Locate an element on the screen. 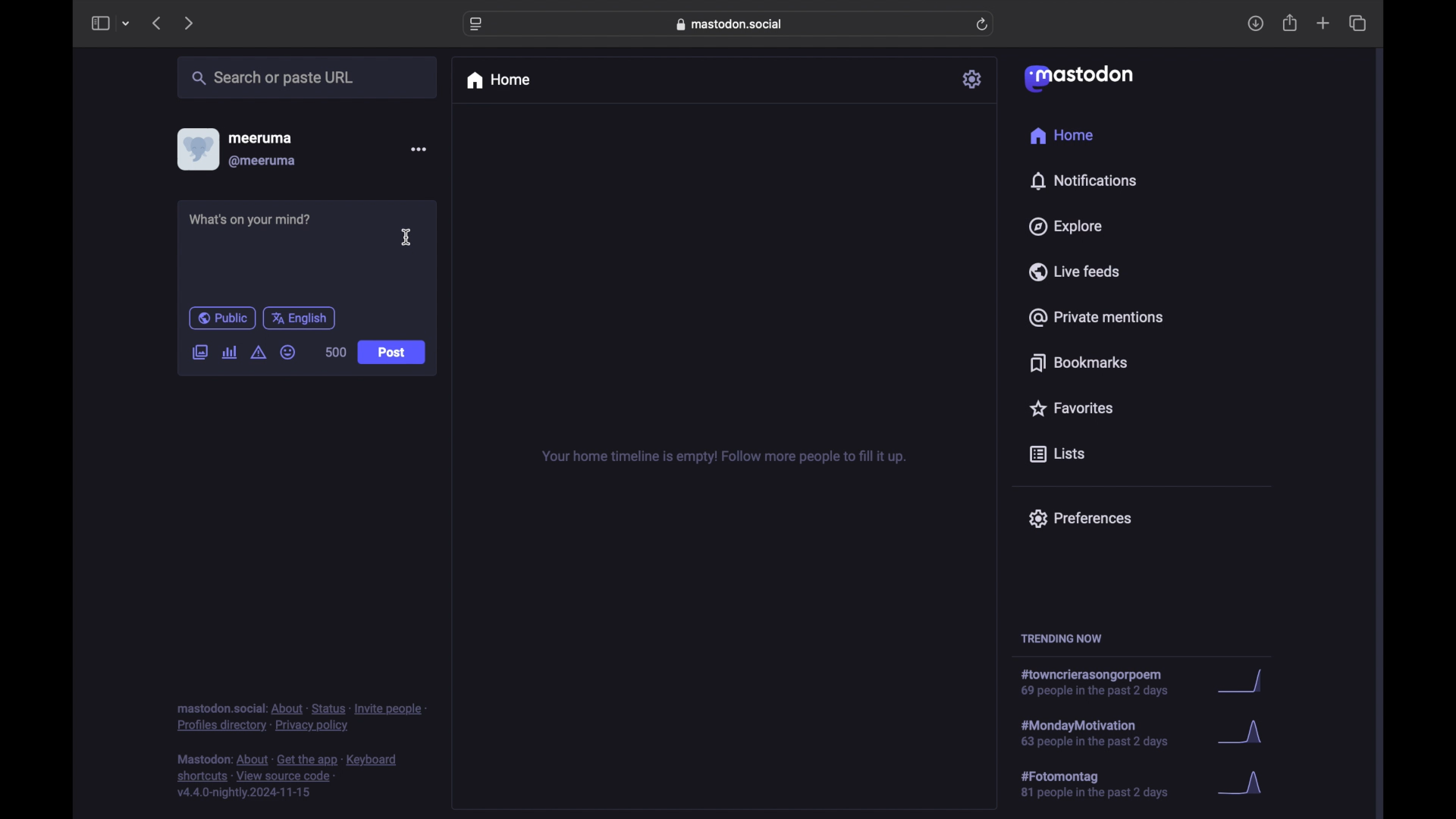 This screenshot has width=1456, height=819. website settings is located at coordinates (478, 24).